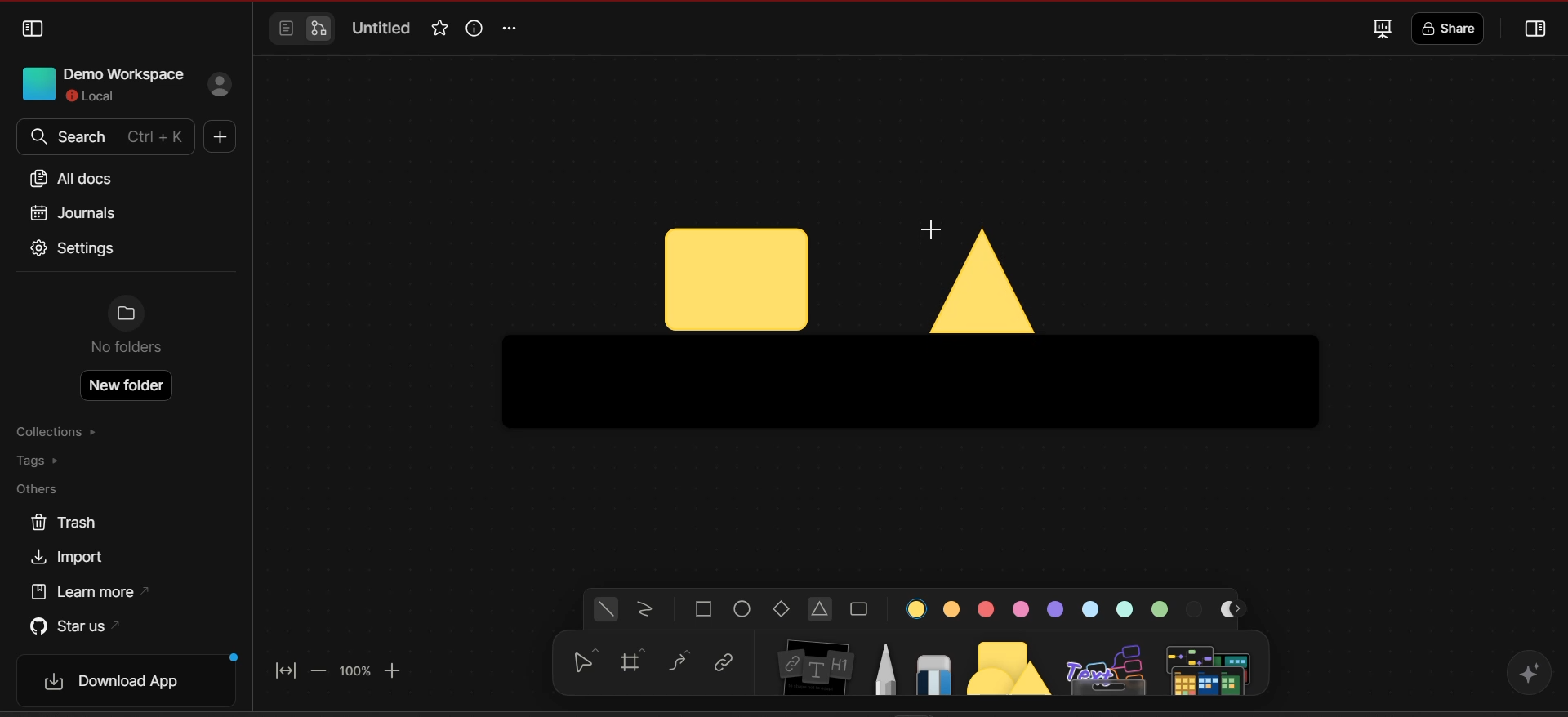 The width and height of the screenshot is (1568, 717). Describe the element at coordinates (1196, 608) in the screenshot. I see `color 9` at that location.